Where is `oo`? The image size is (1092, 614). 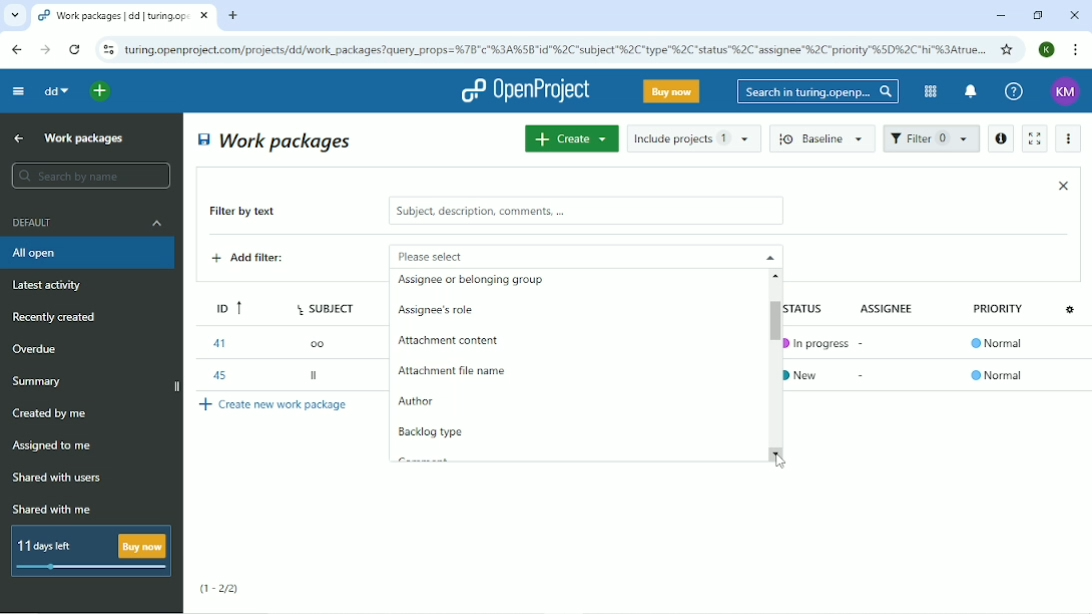
oo is located at coordinates (323, 342).